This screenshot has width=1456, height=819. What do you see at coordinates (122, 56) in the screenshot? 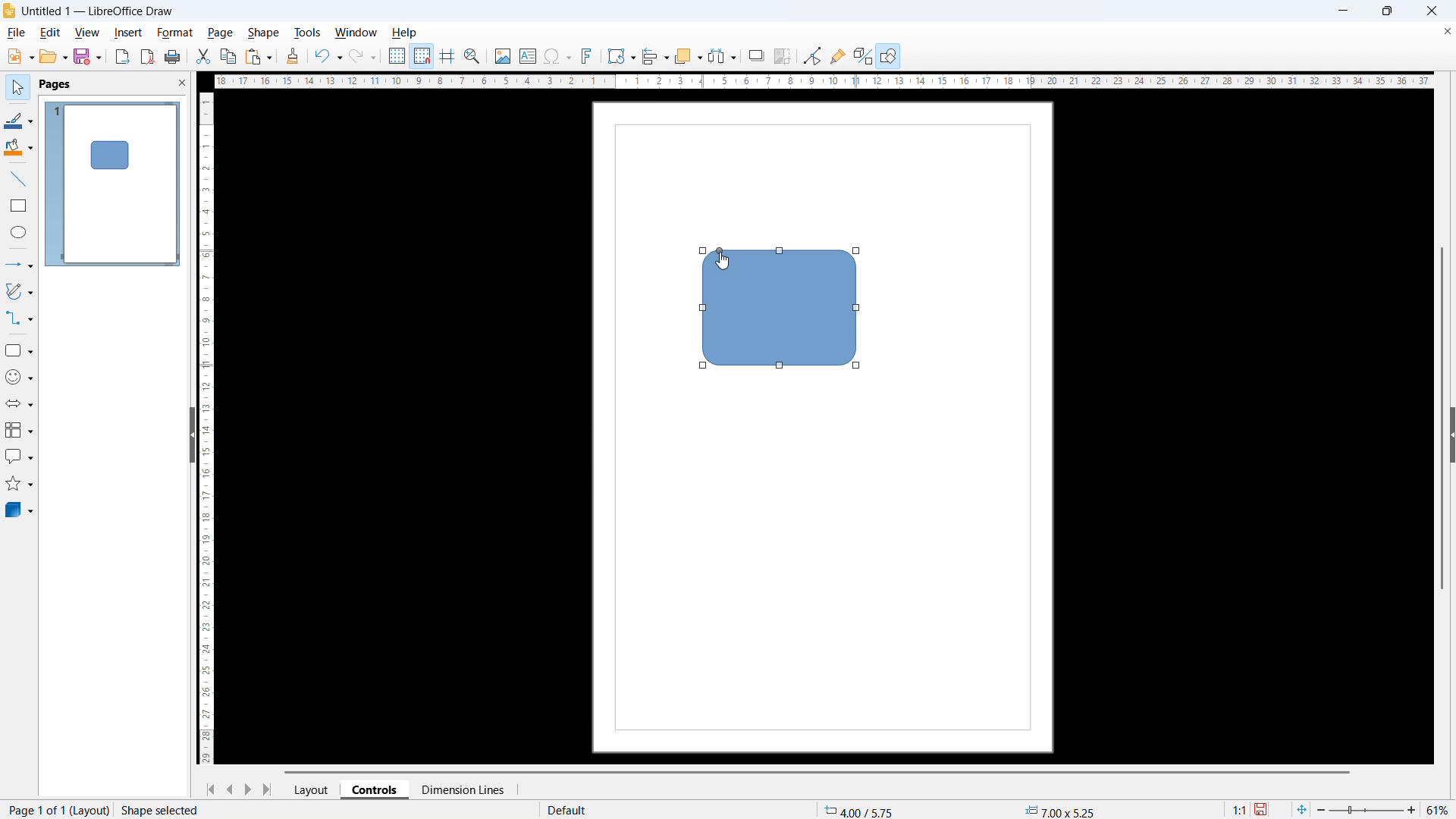
I see `Export ` at bounding box center [122, 56].